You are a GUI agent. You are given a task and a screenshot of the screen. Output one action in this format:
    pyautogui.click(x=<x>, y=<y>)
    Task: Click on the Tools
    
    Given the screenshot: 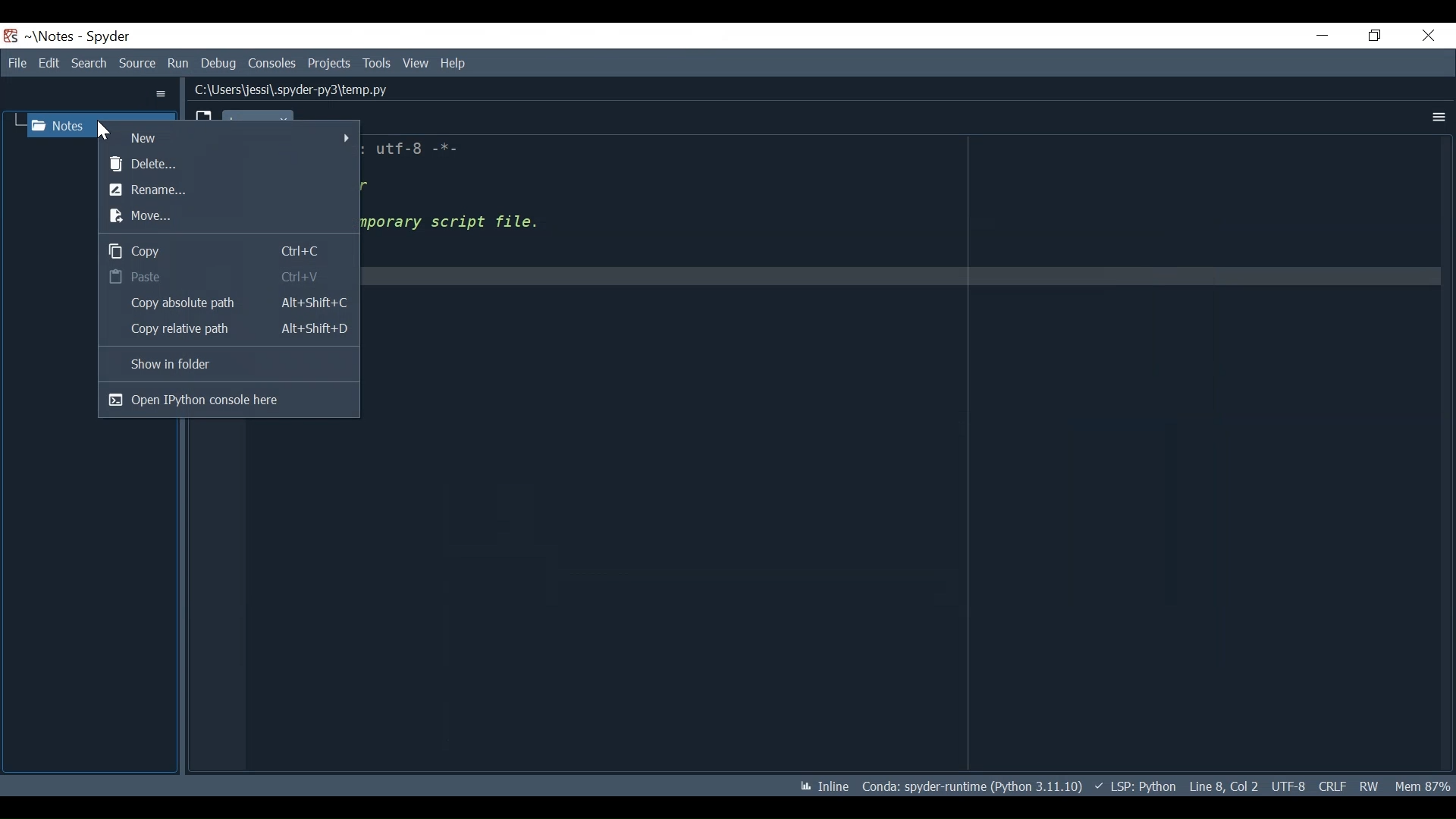 What is the action you would take?
    pyautogui.click(x=376, y=64)
    